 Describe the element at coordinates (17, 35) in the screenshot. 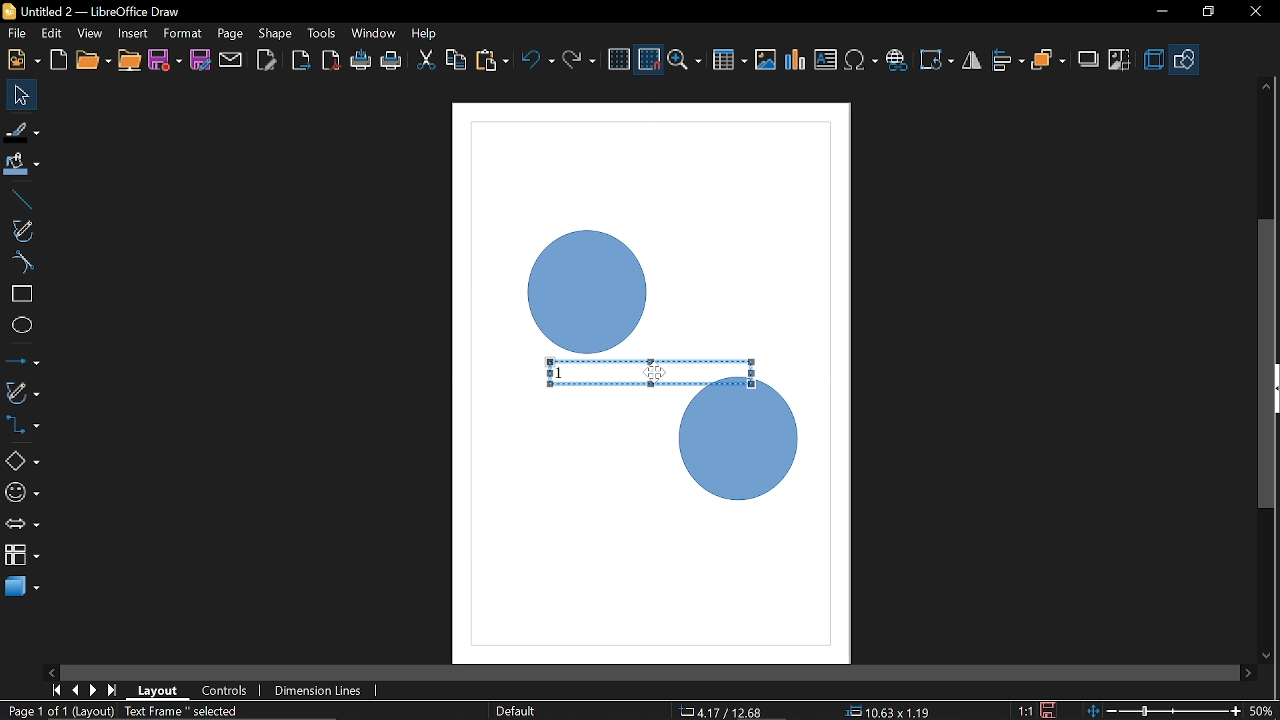

I see `file` at that location.